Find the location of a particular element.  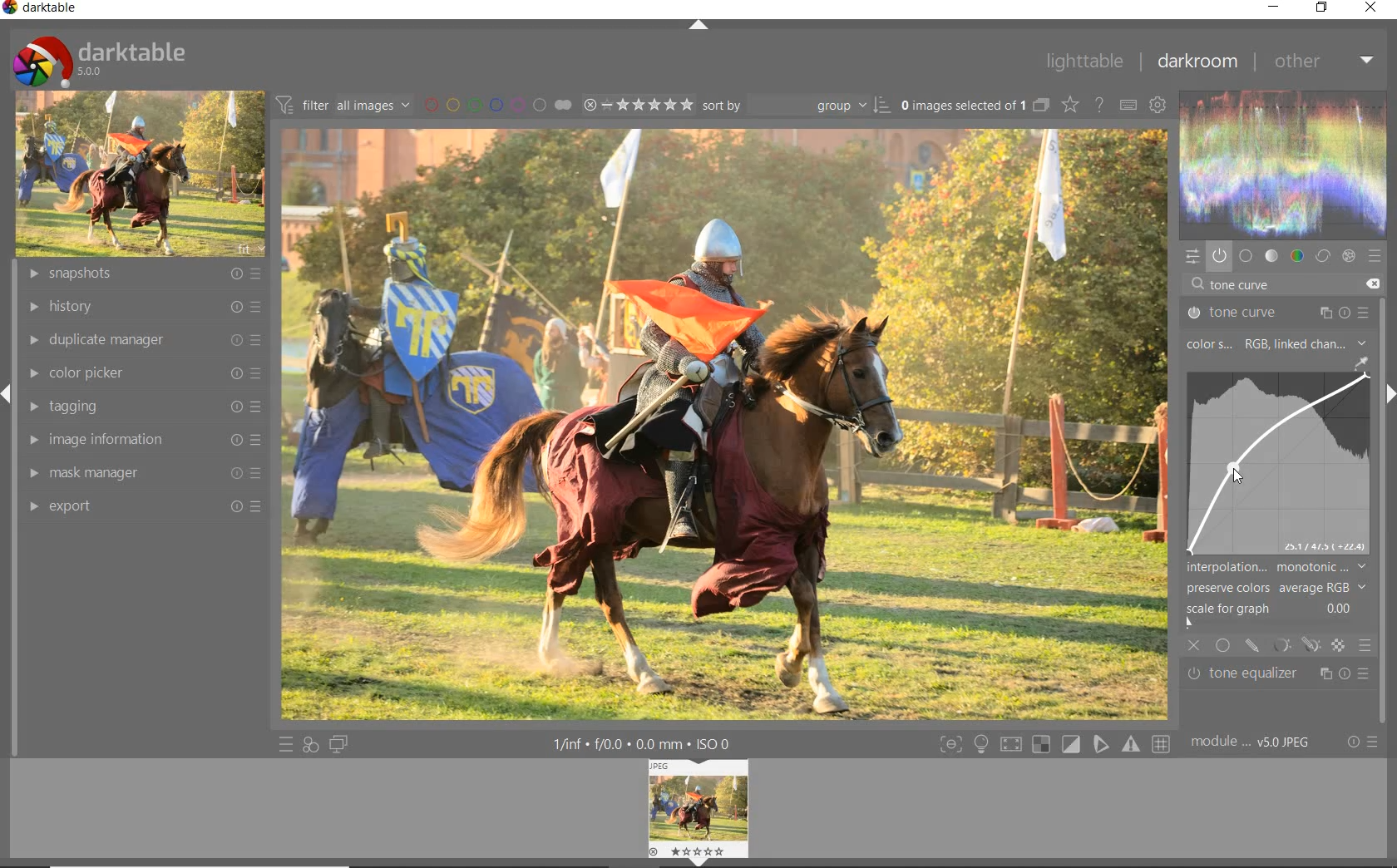

Sort is located at coordinates (796, 105).